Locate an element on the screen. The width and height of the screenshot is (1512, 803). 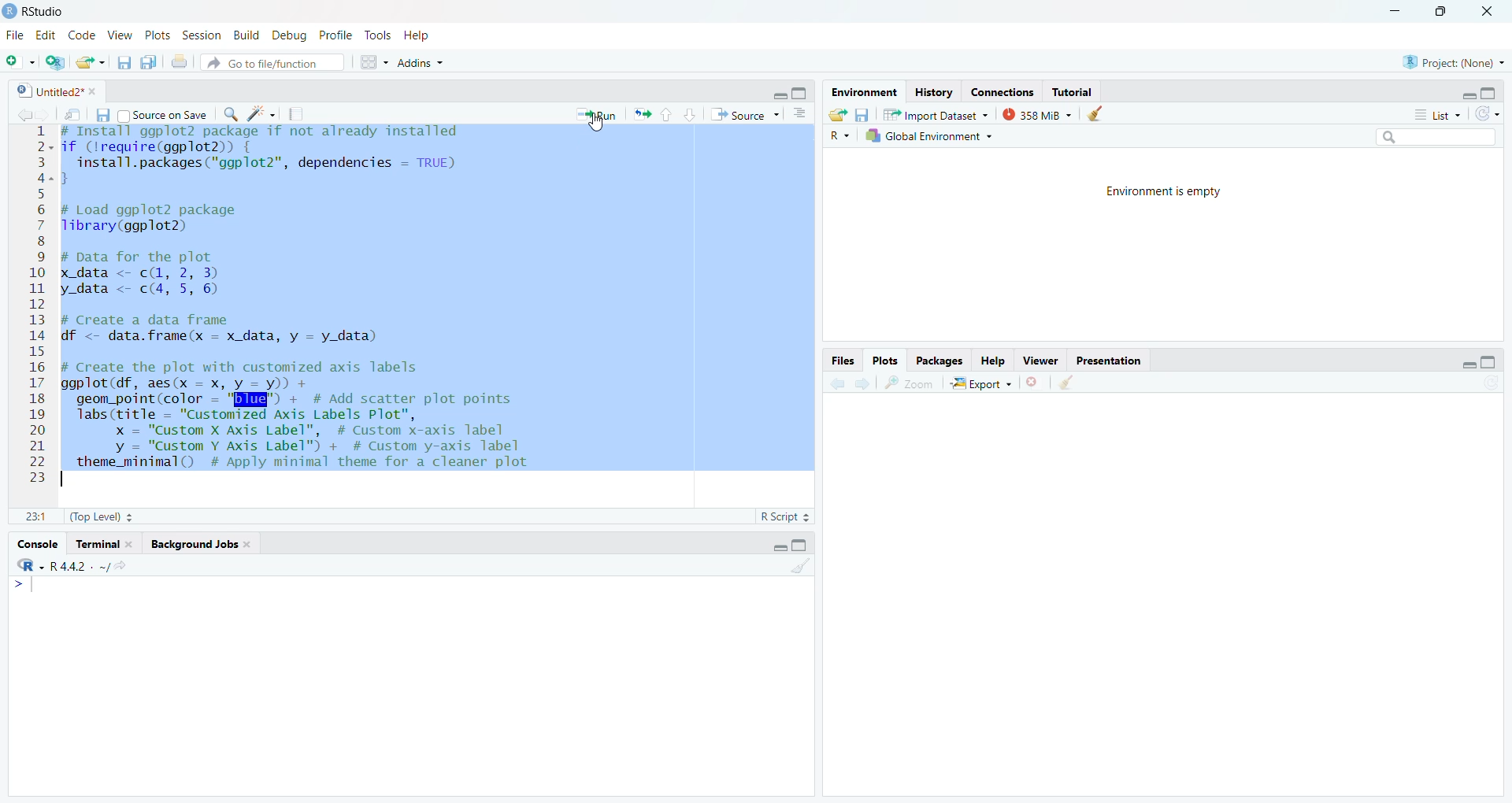
export is located at coordinates (835, 113).